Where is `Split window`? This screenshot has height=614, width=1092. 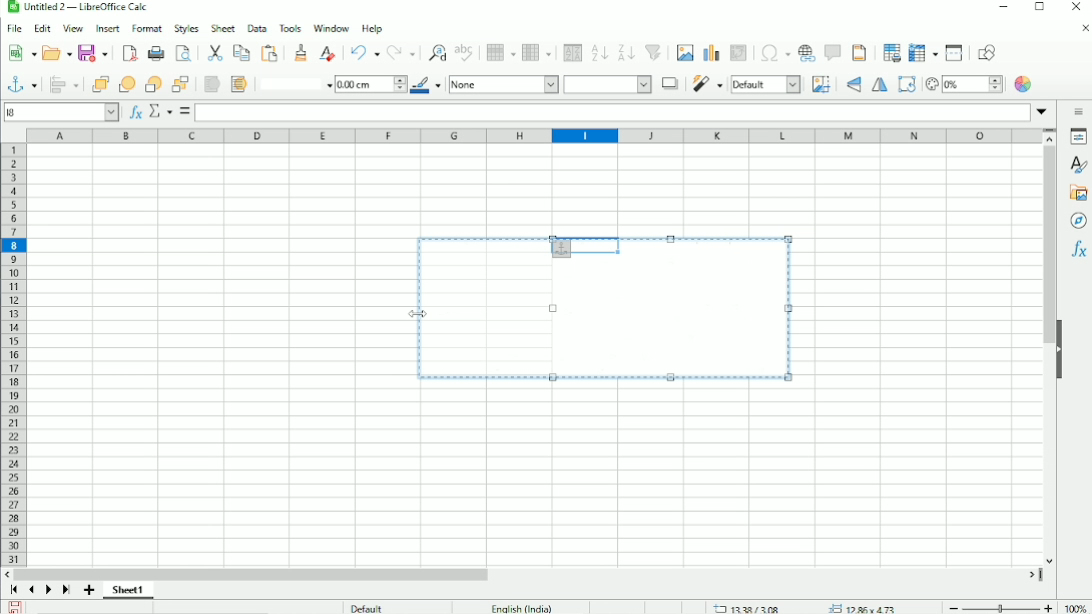 Split window is located at coordinates (954, 53).